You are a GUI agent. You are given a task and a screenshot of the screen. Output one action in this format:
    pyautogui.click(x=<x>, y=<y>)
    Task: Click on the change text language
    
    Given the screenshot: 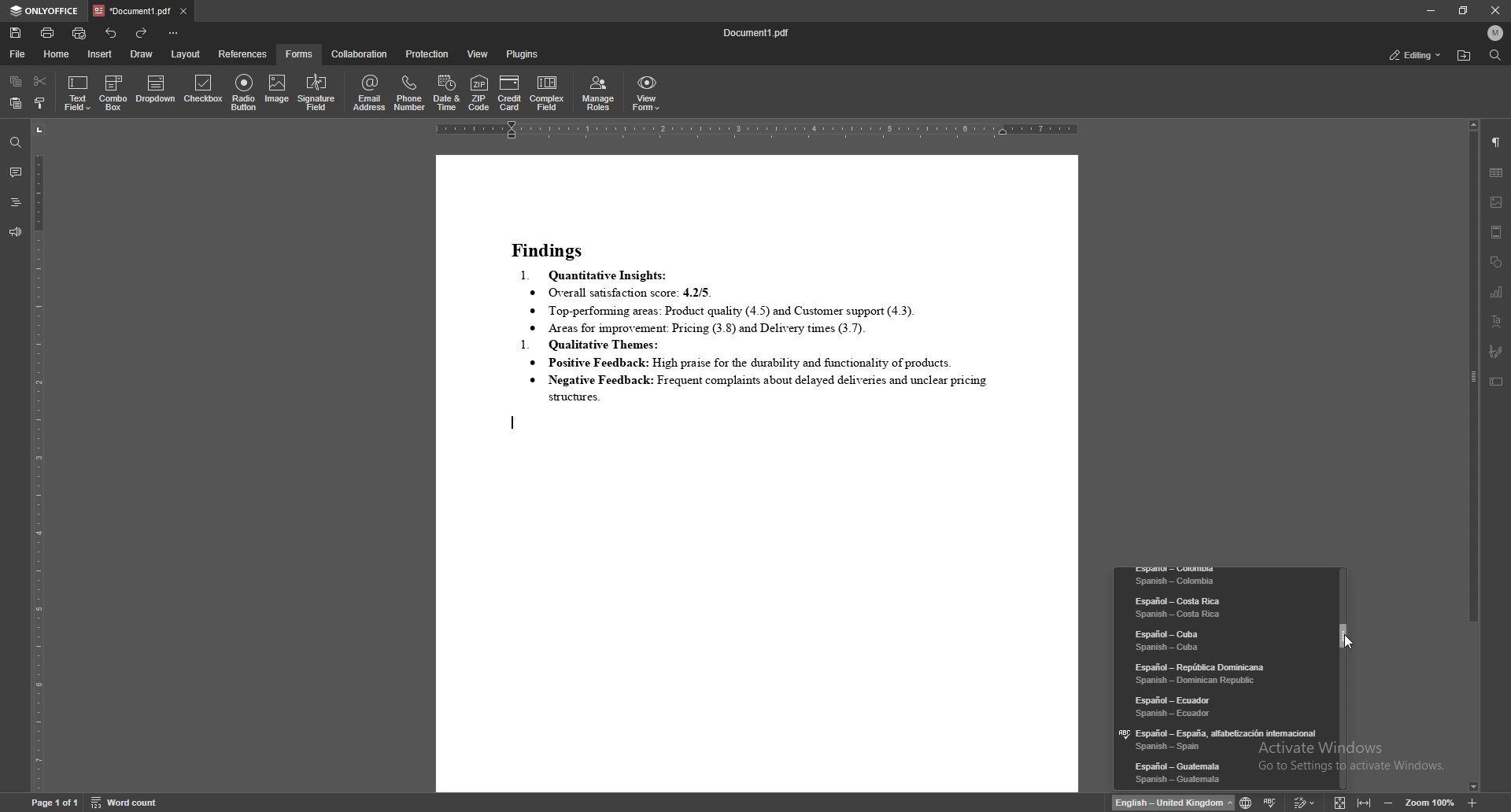 What is the action you would take?
    pyautogui.click(x=1243, y=800)
    